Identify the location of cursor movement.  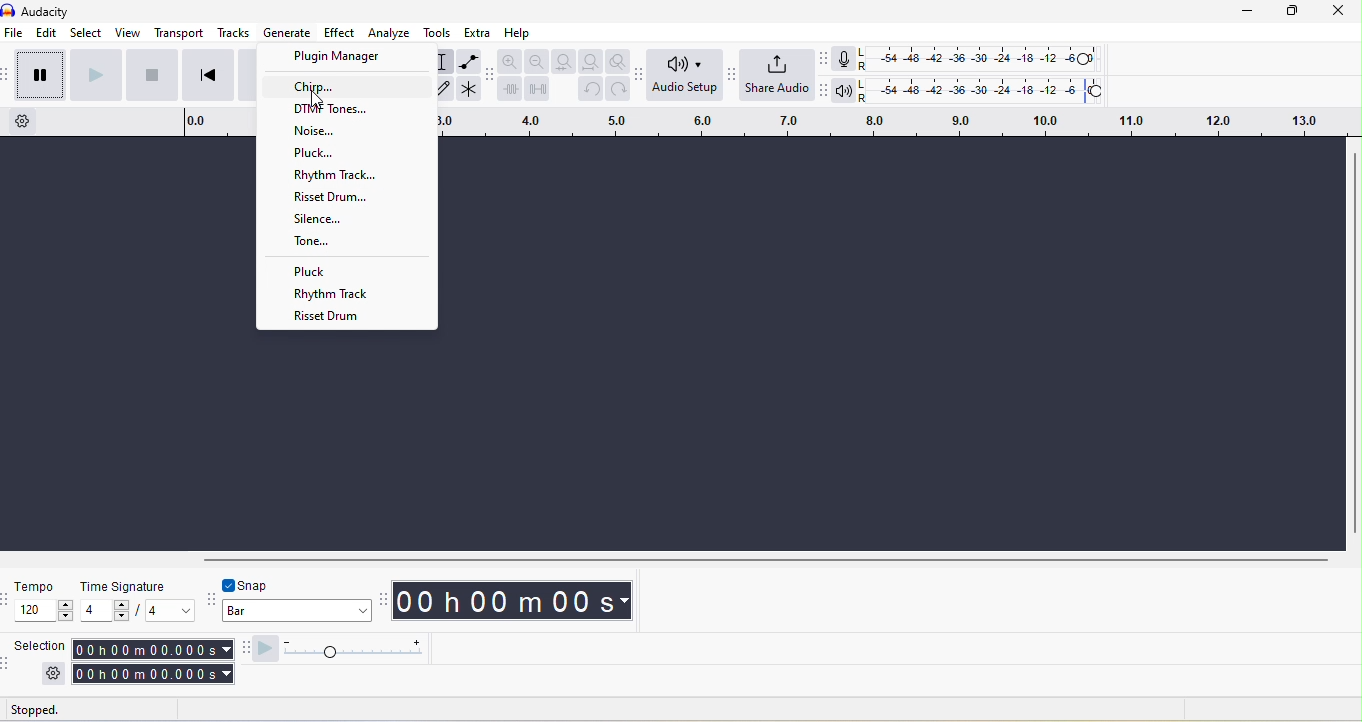
(319, 100).